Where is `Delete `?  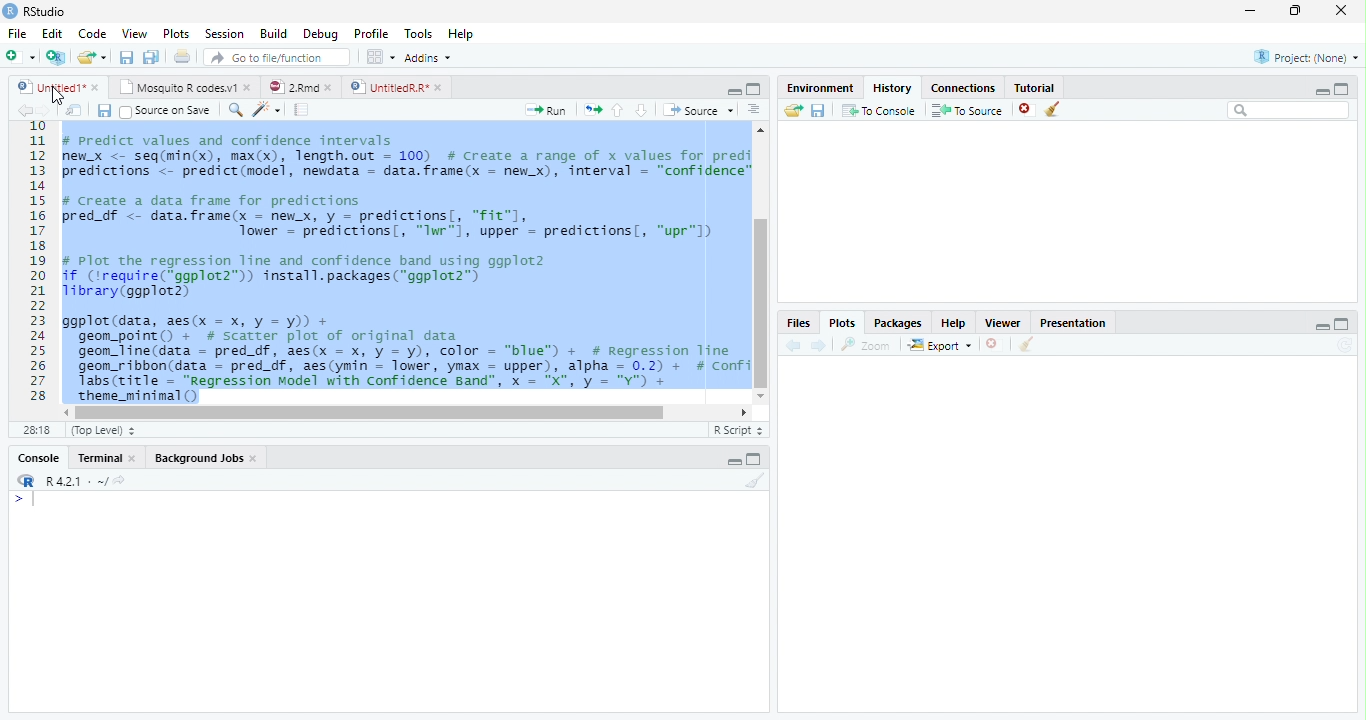
Delete  is located at coordinates (994, 345).